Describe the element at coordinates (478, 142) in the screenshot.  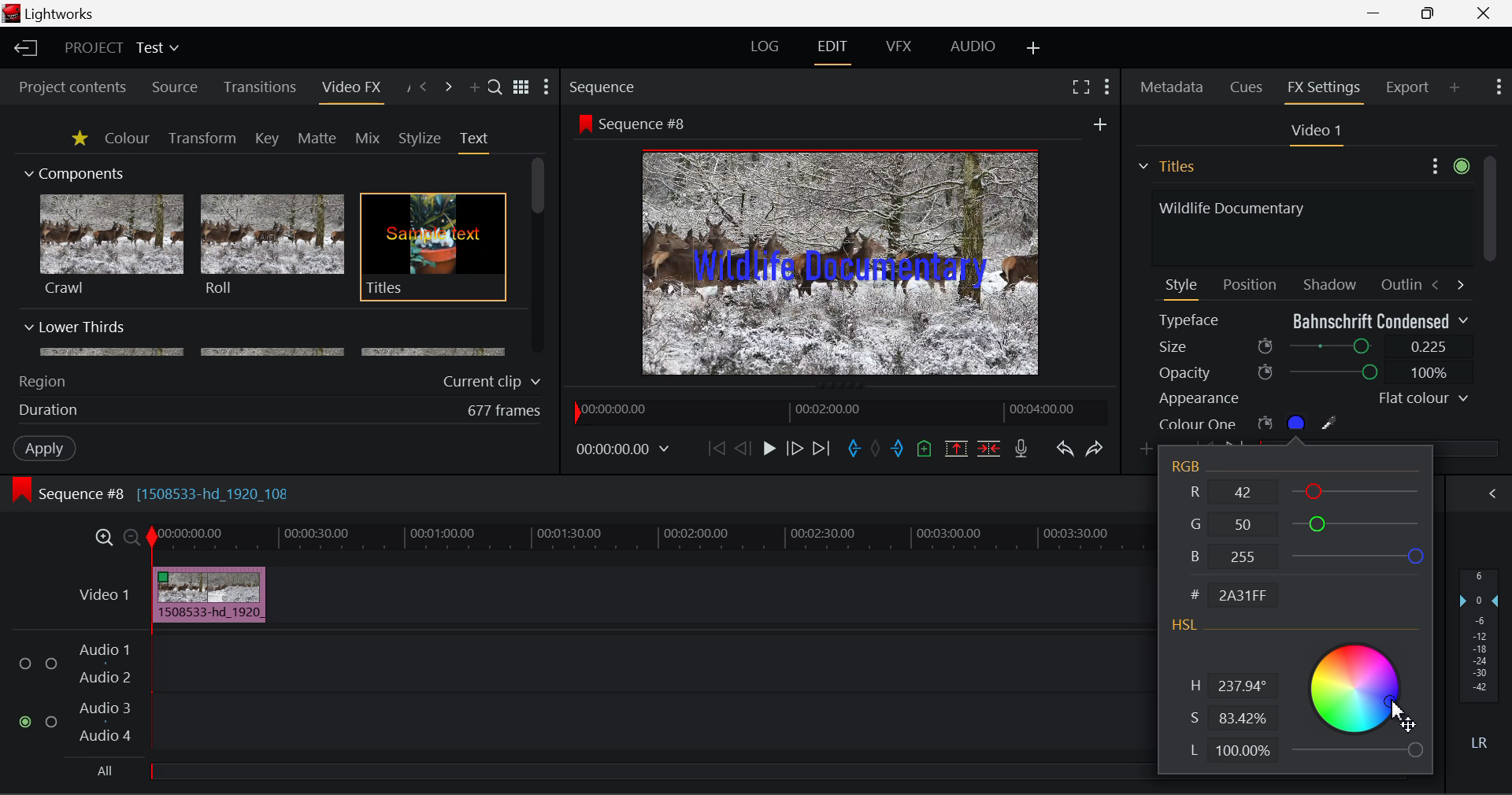
I see `Text Tab Open` at that location.